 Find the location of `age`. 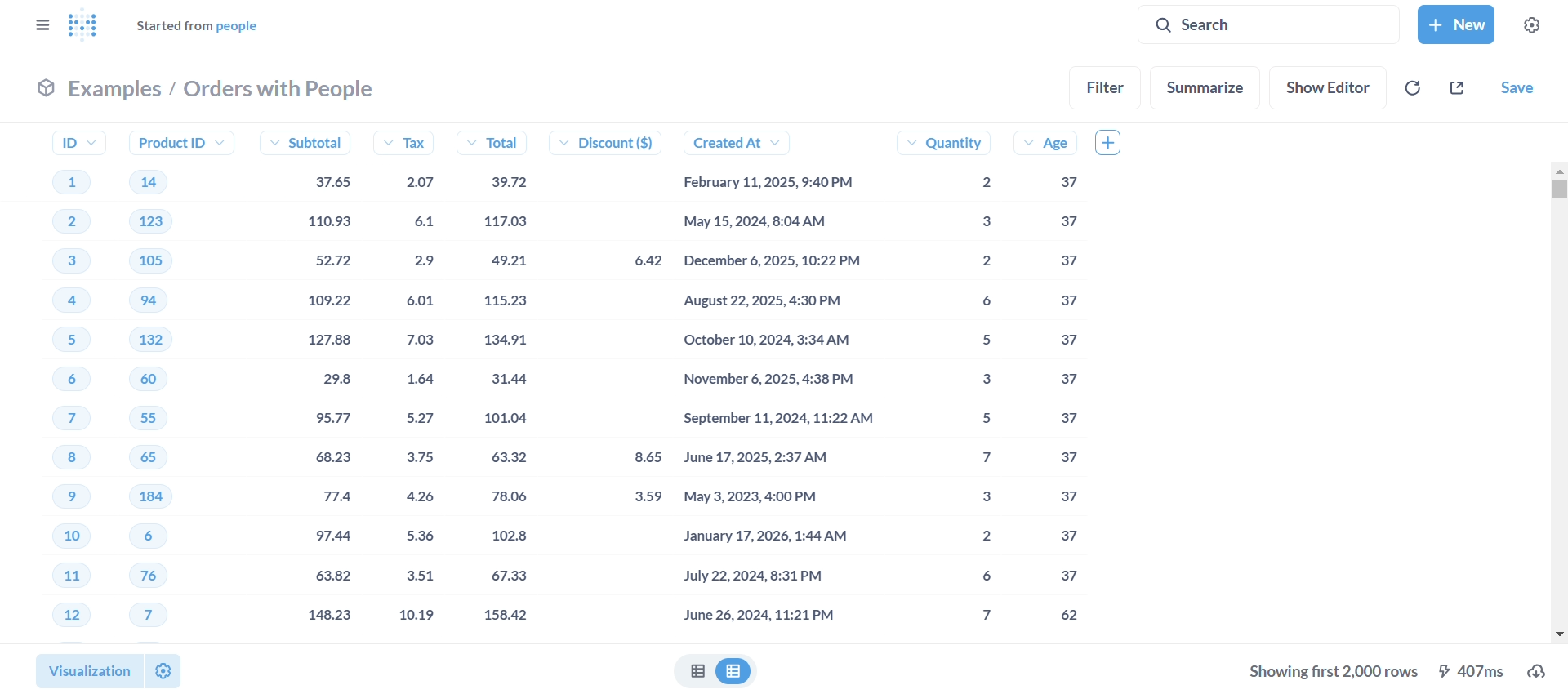

age is located at coordinates (1058, 385).